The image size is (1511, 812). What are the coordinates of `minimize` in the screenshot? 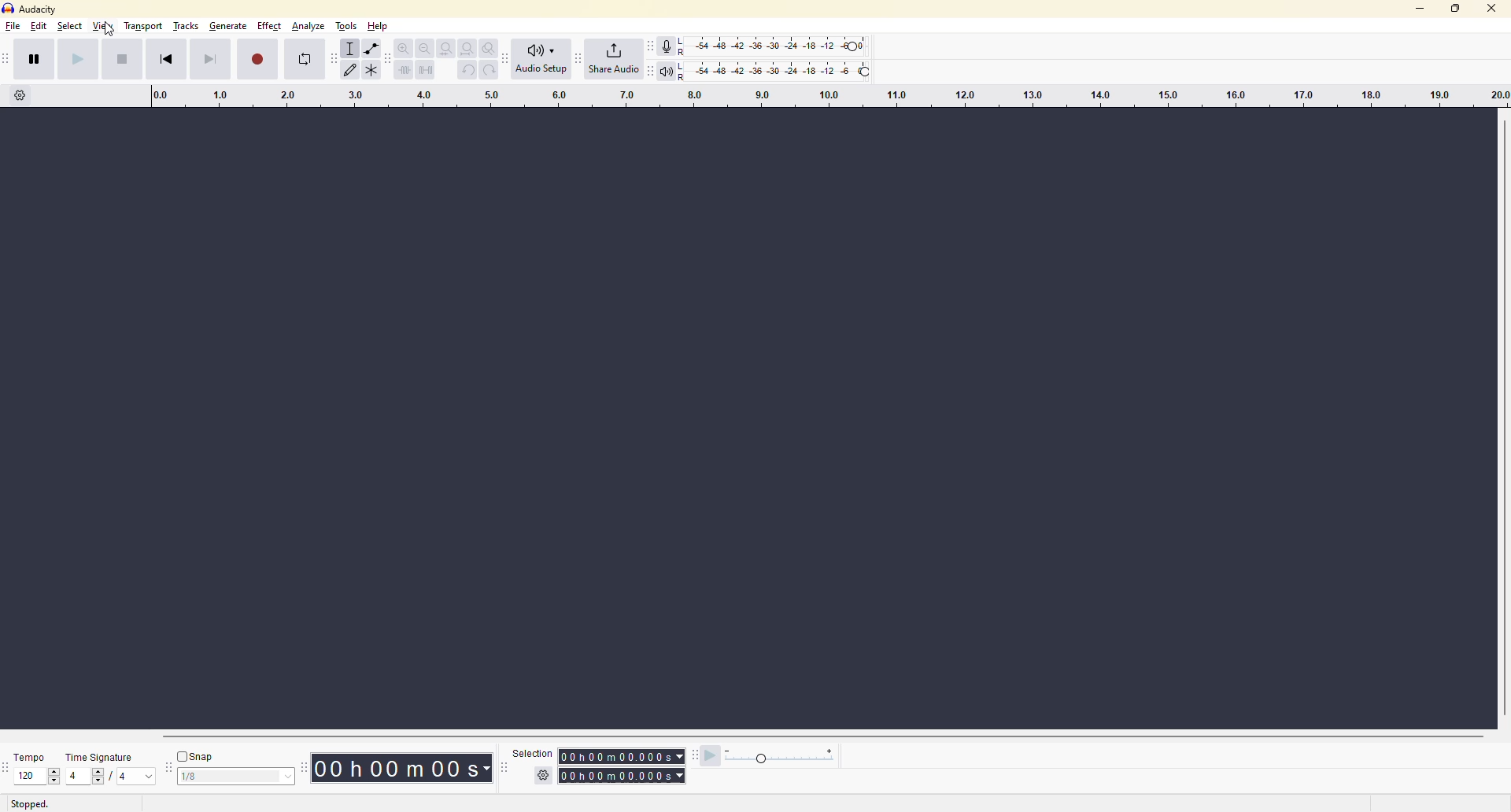 It's located at (1417, 13).